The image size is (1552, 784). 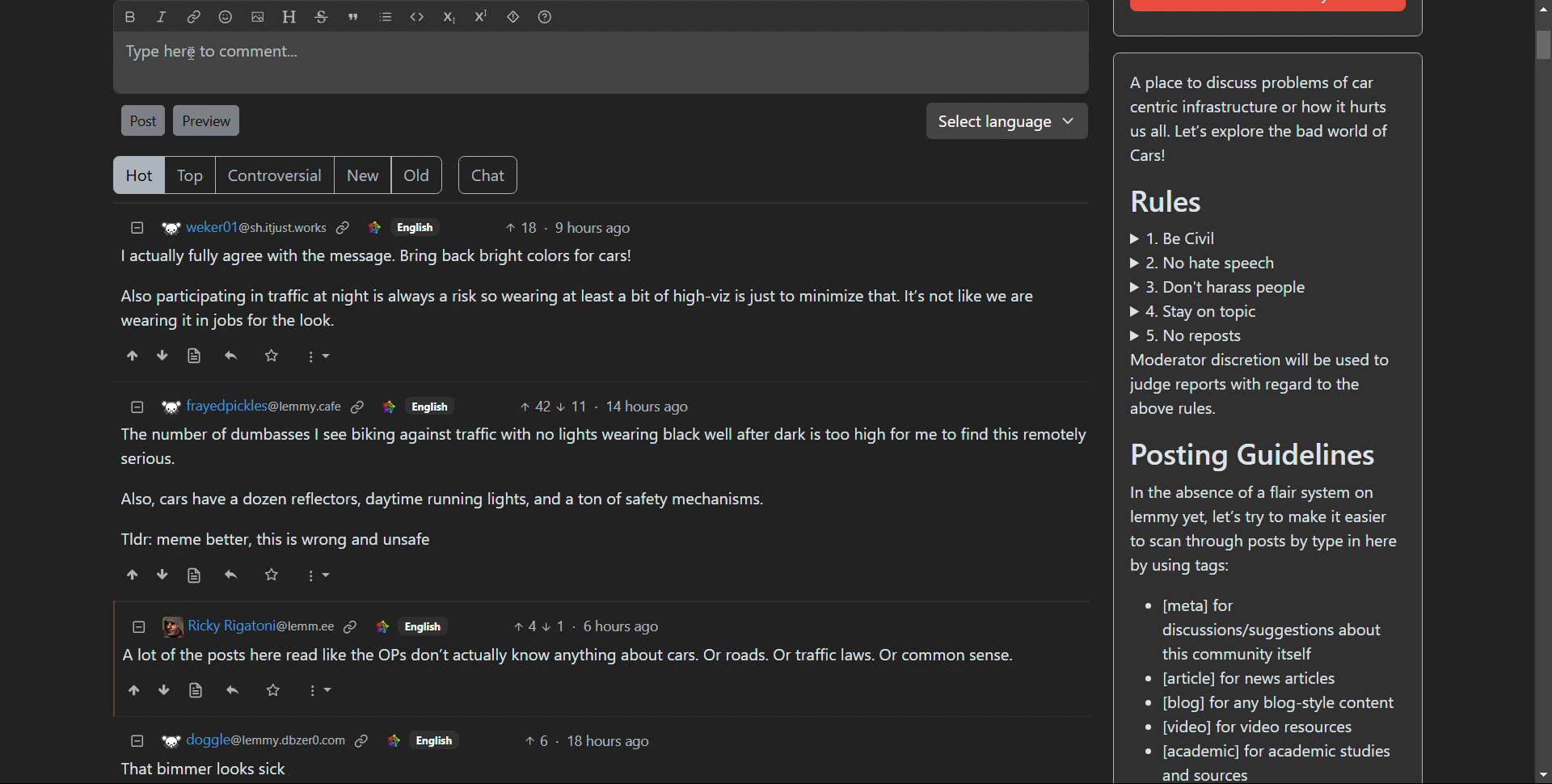 I want to click on upvote, so click(x=133, y=356).